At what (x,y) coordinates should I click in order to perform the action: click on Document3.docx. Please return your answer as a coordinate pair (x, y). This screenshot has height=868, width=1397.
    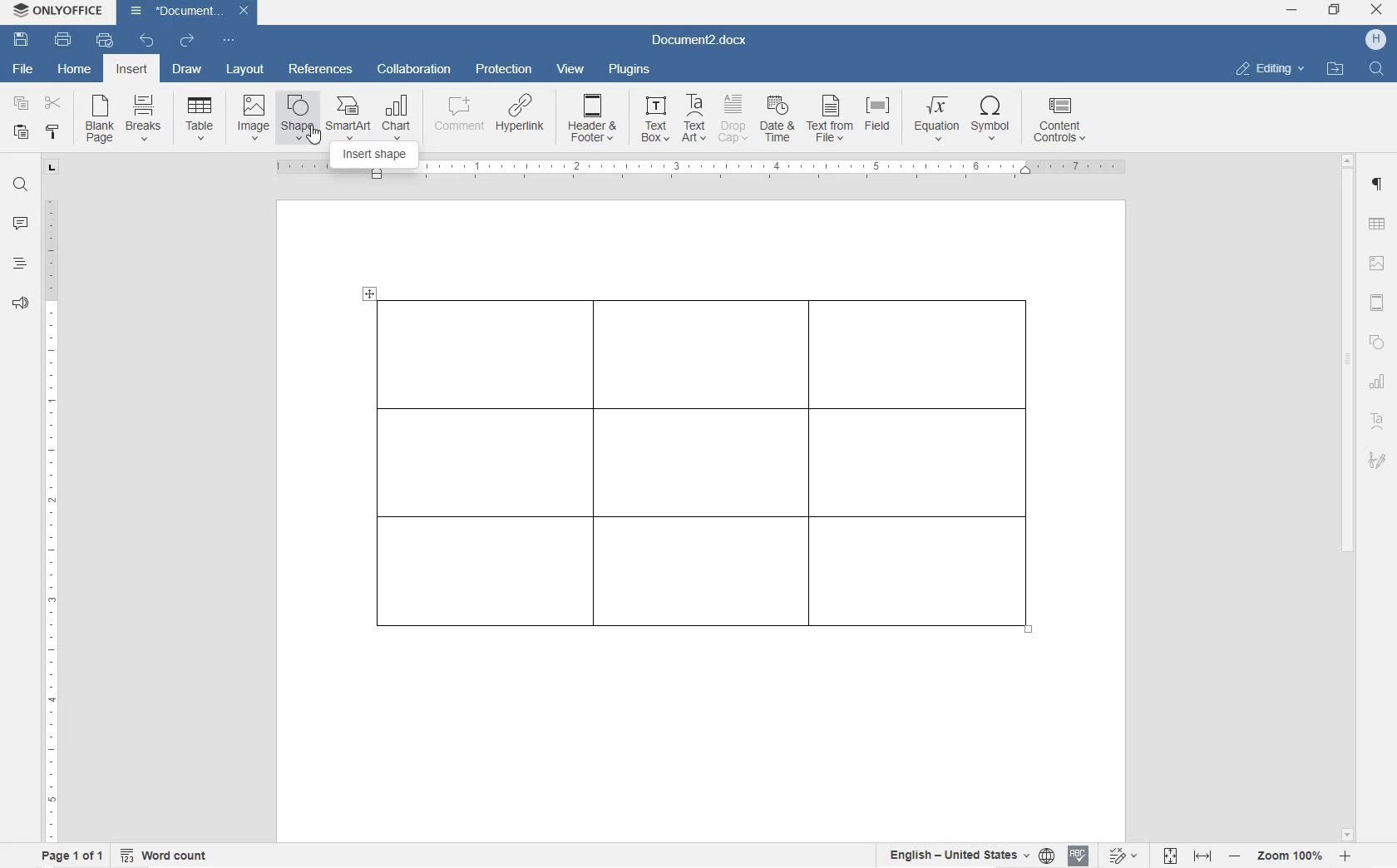
    Looking at the image, I should click on (189, 12).